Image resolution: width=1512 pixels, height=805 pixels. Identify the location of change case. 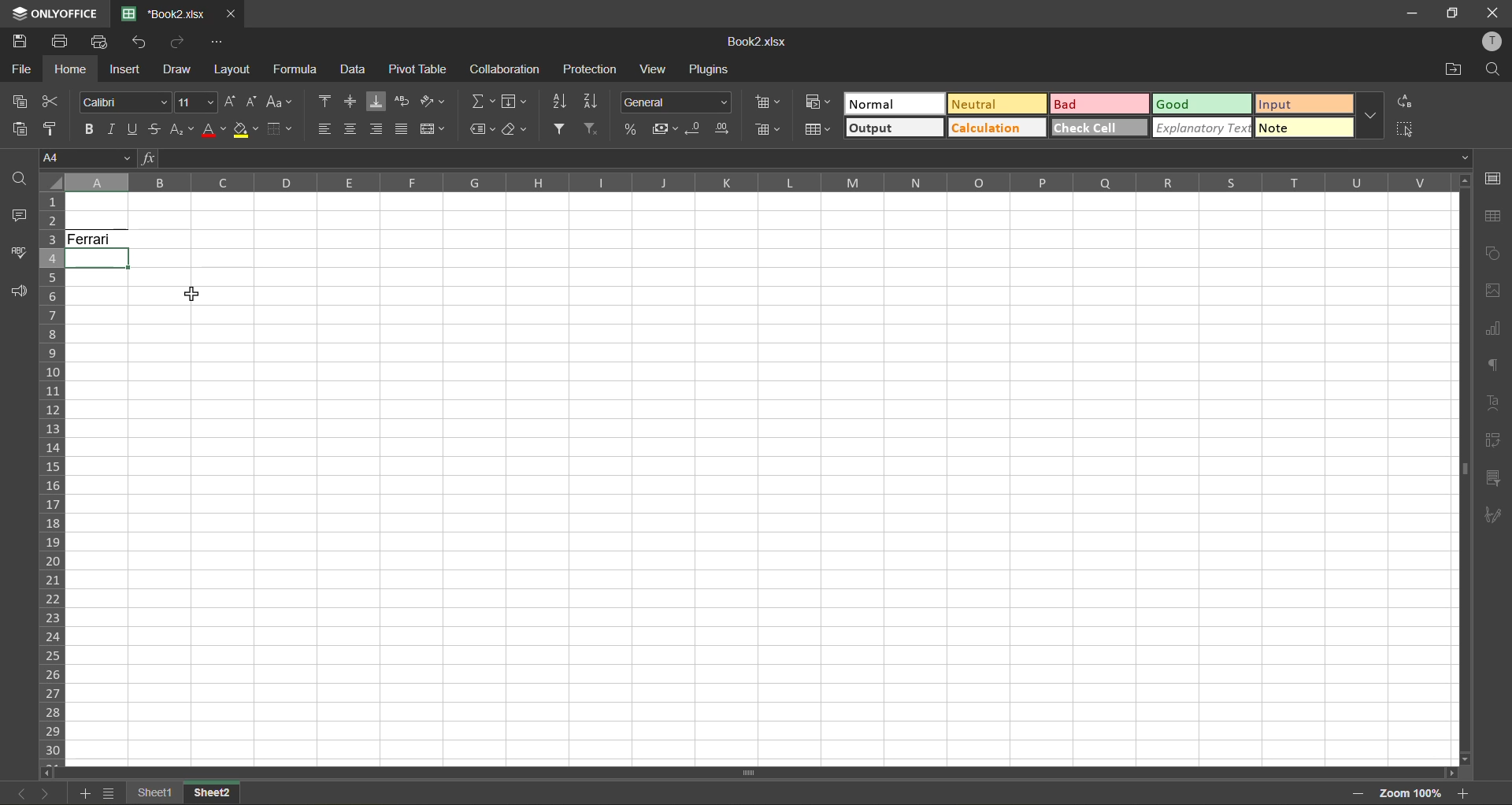
(280, 101).